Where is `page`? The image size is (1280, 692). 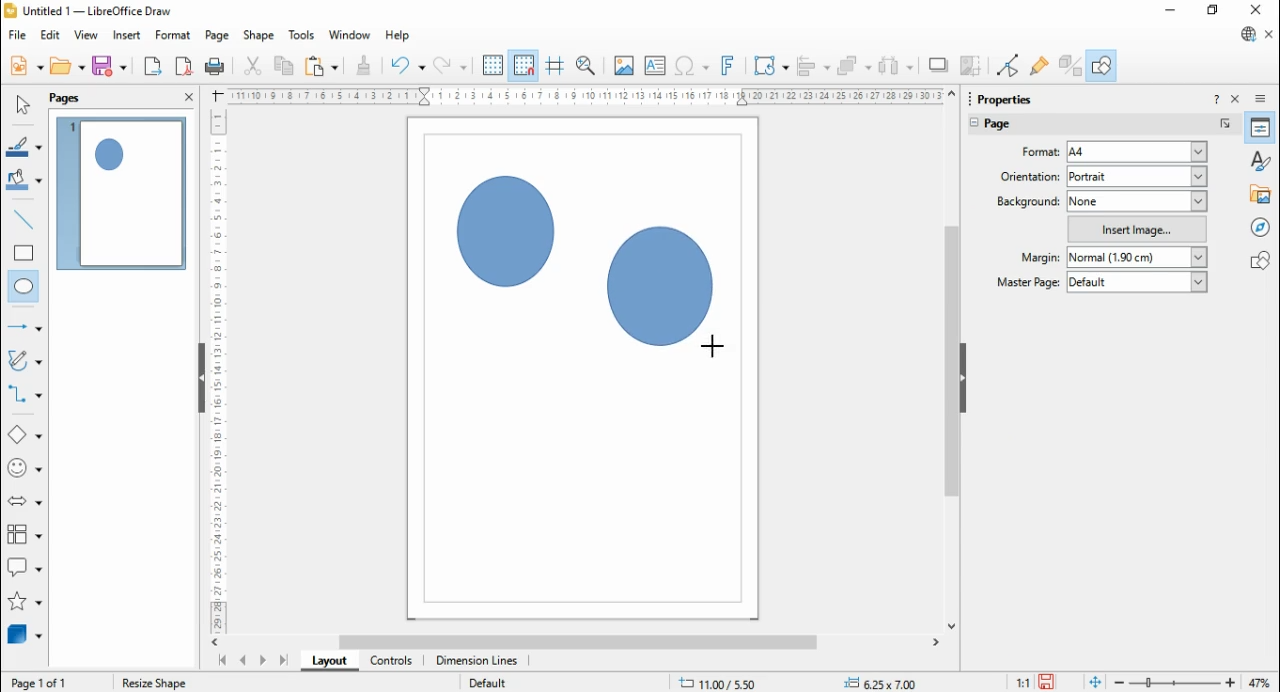
page is located at coordinates (218, 36).